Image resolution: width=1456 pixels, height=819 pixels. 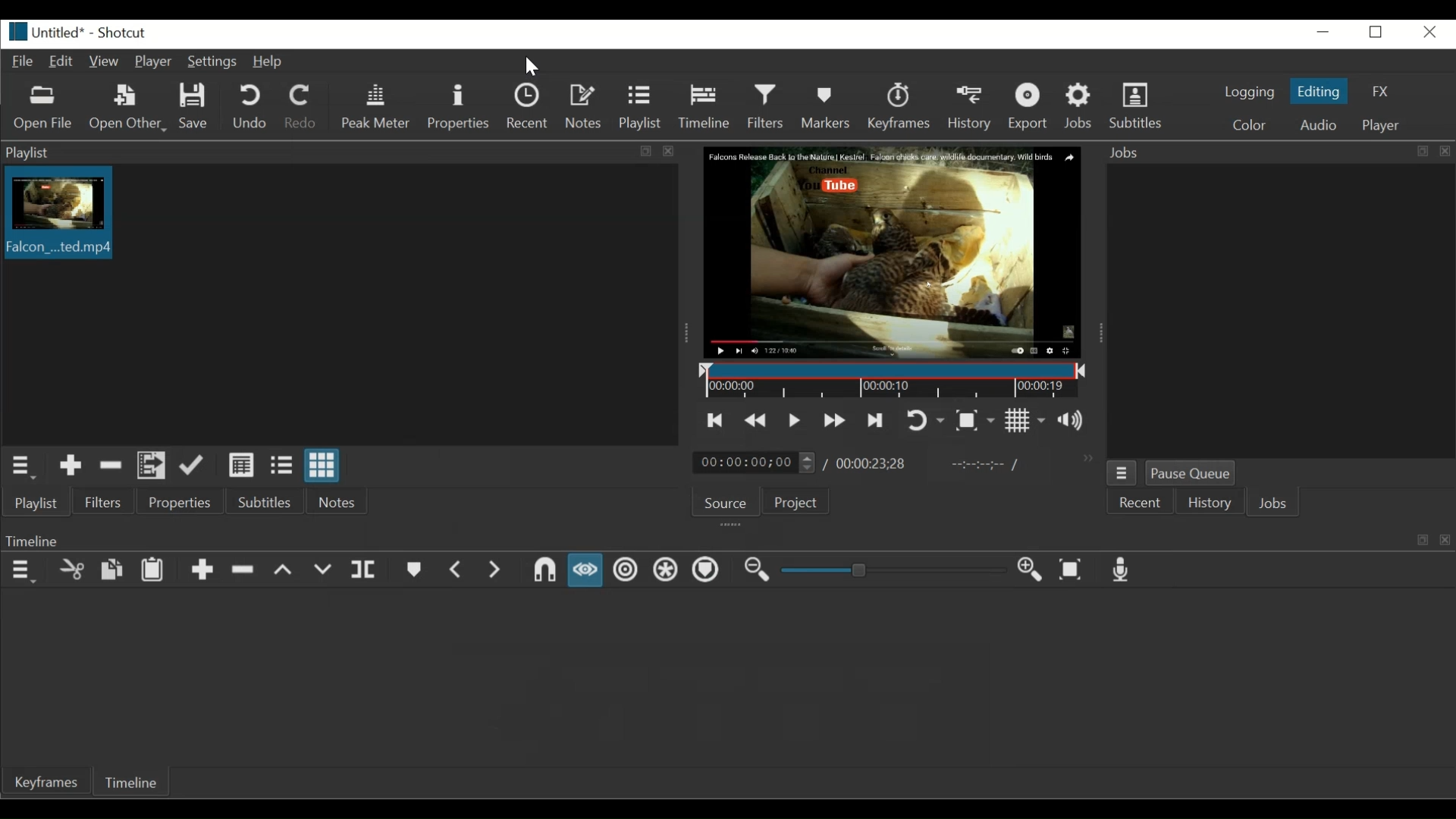 What do you see at coordinates (715, 420) in the screenshot?
I see `Skip to the previous point` at bounding box center [715, 420].